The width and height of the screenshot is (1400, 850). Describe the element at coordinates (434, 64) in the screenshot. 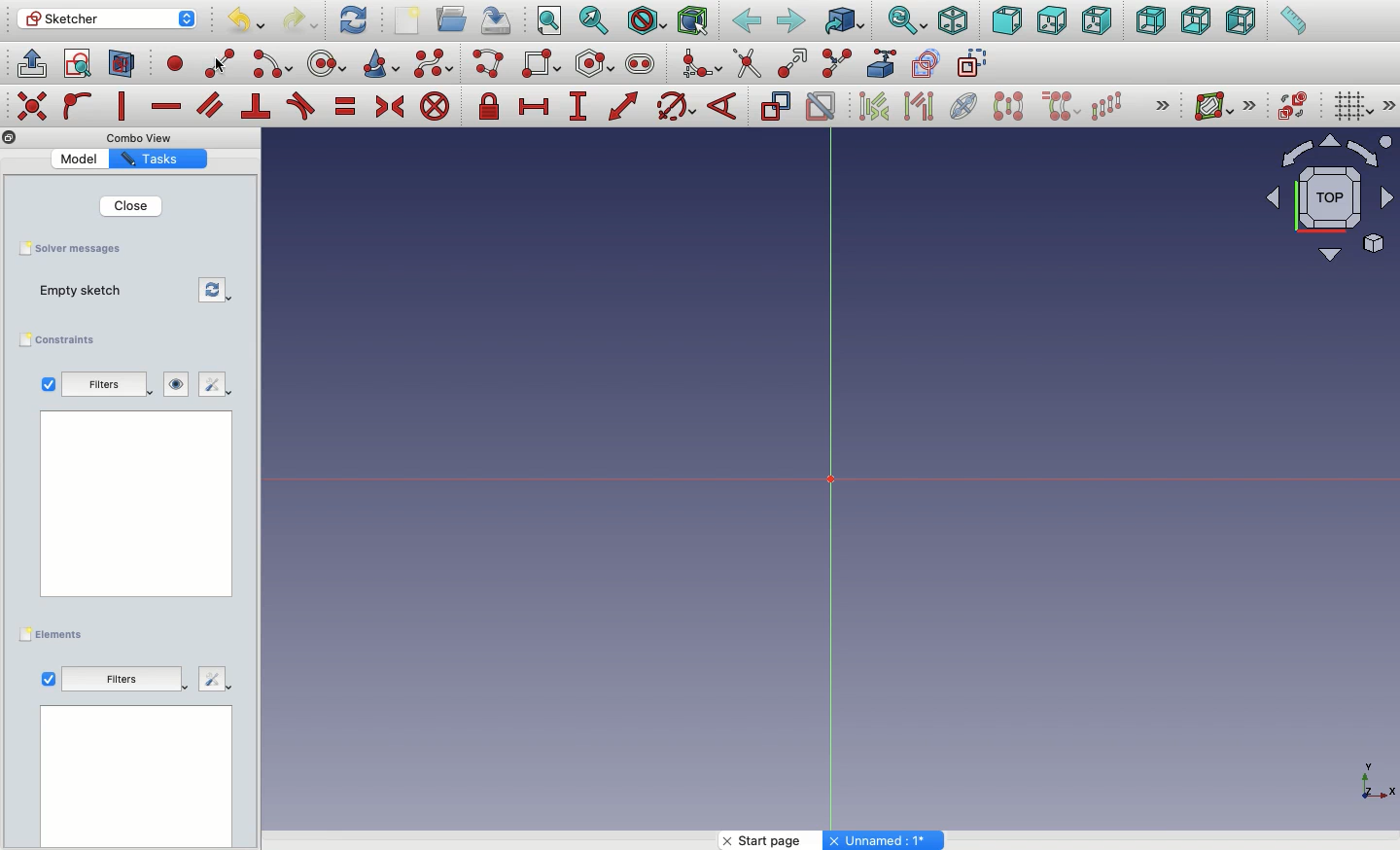

I see `B-spline` at that location.